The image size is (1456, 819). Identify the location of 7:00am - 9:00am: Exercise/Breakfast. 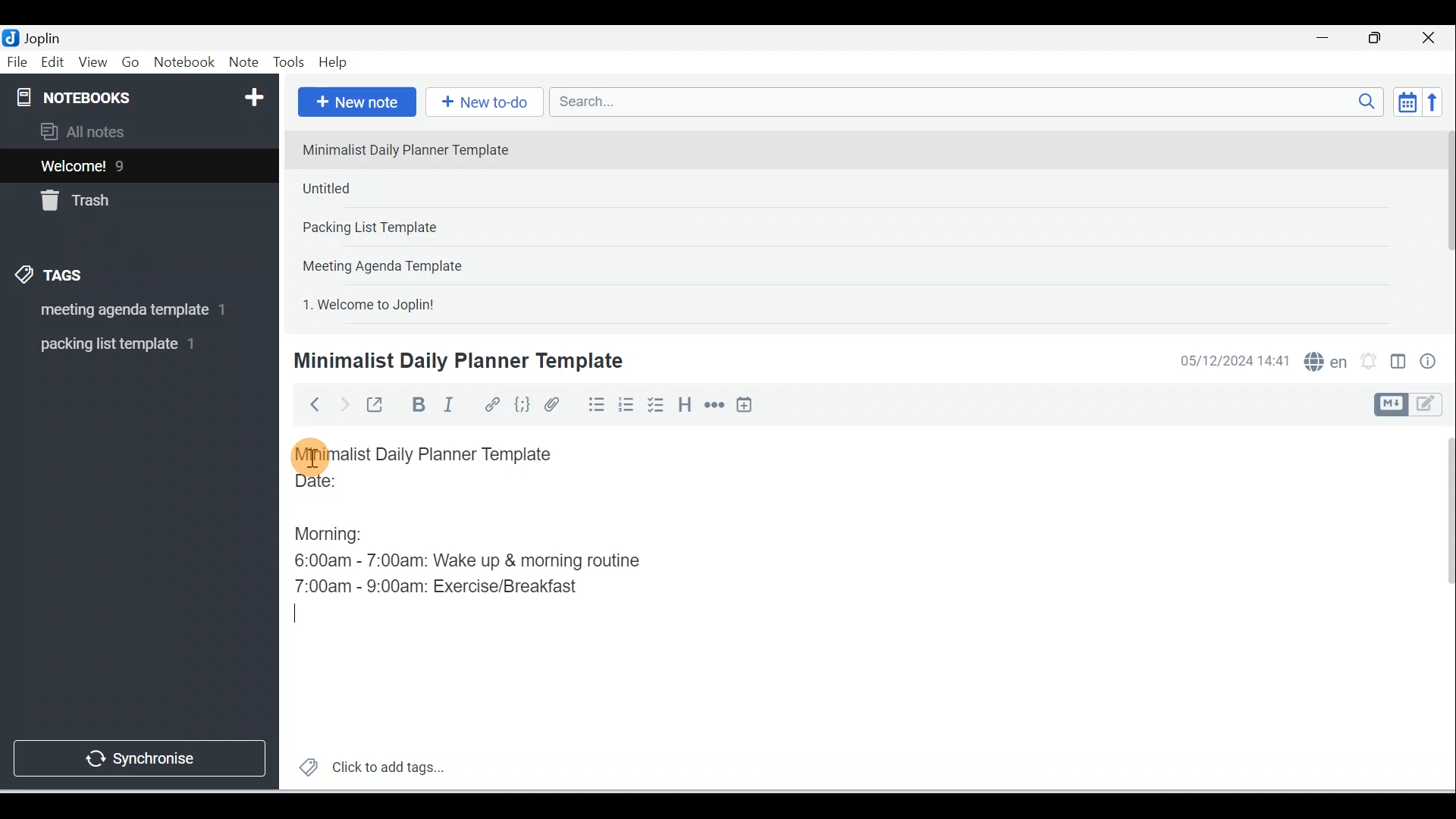
(439, 585).